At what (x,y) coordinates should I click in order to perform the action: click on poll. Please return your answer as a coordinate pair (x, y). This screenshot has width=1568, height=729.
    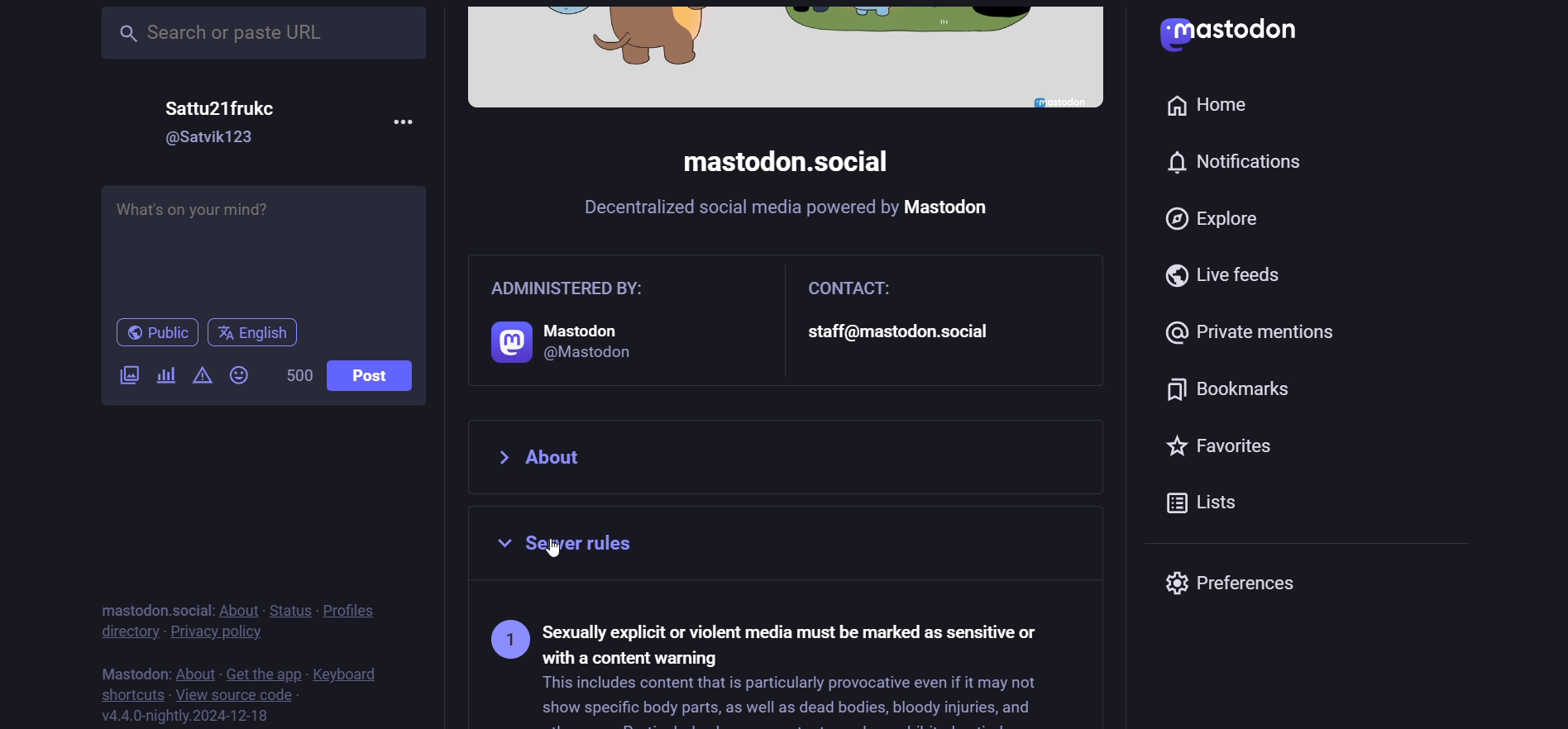
    Looking at the image, I should click on (165, 378).